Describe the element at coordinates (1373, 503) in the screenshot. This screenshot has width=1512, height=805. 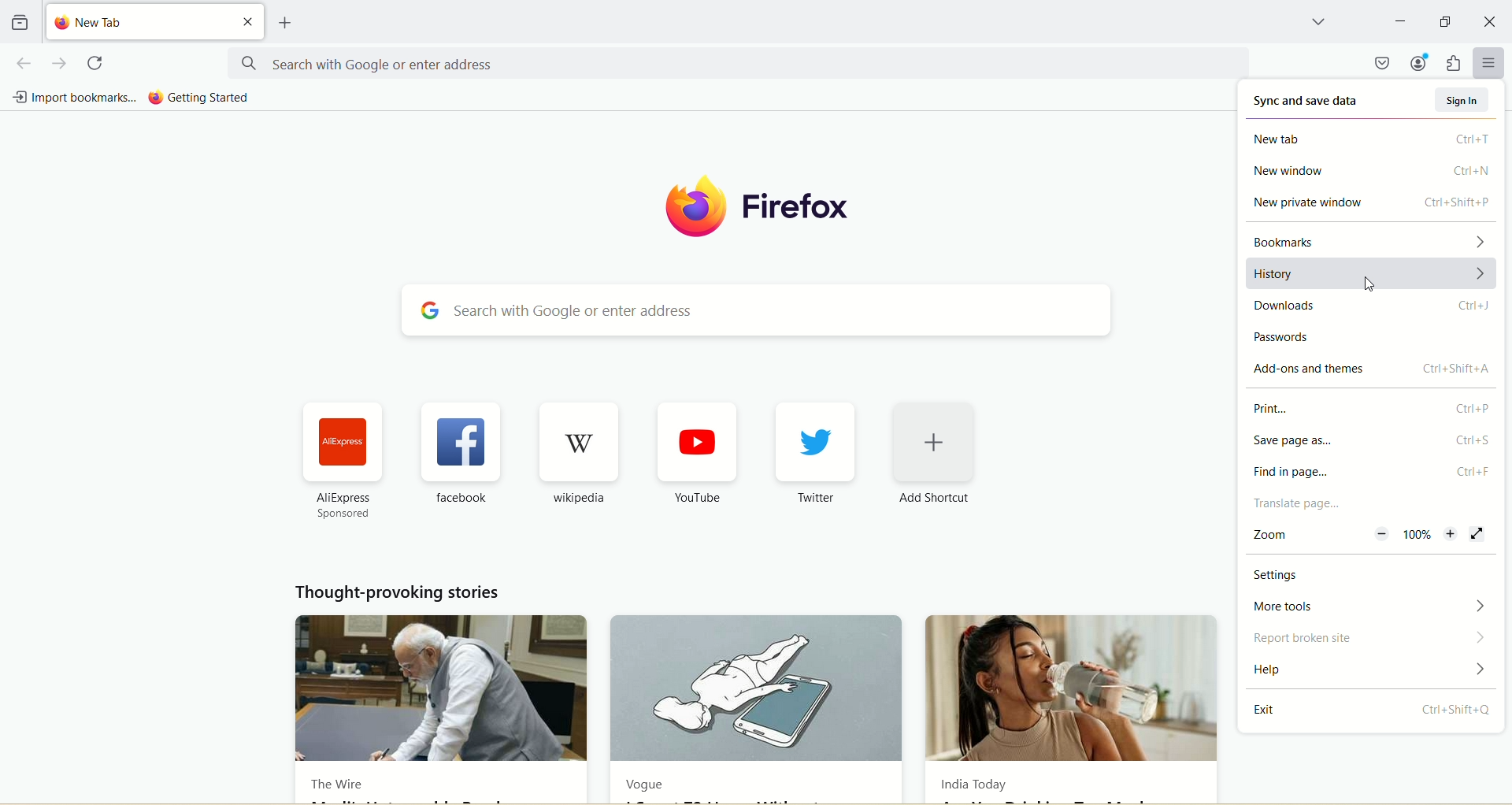
I see `translate page` at that location.